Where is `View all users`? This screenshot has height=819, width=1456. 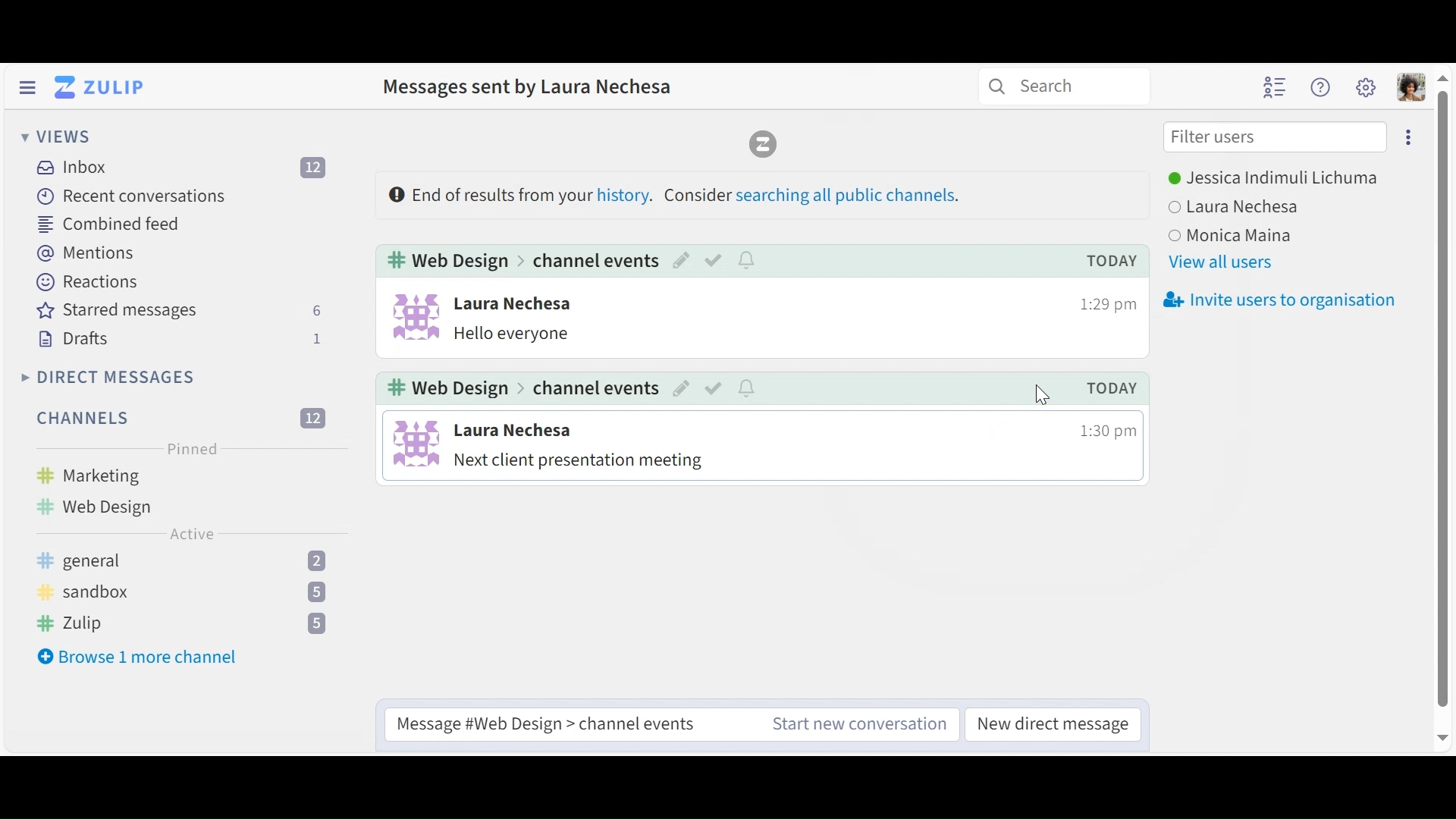
View all users is located at coordinates (1221, 263).